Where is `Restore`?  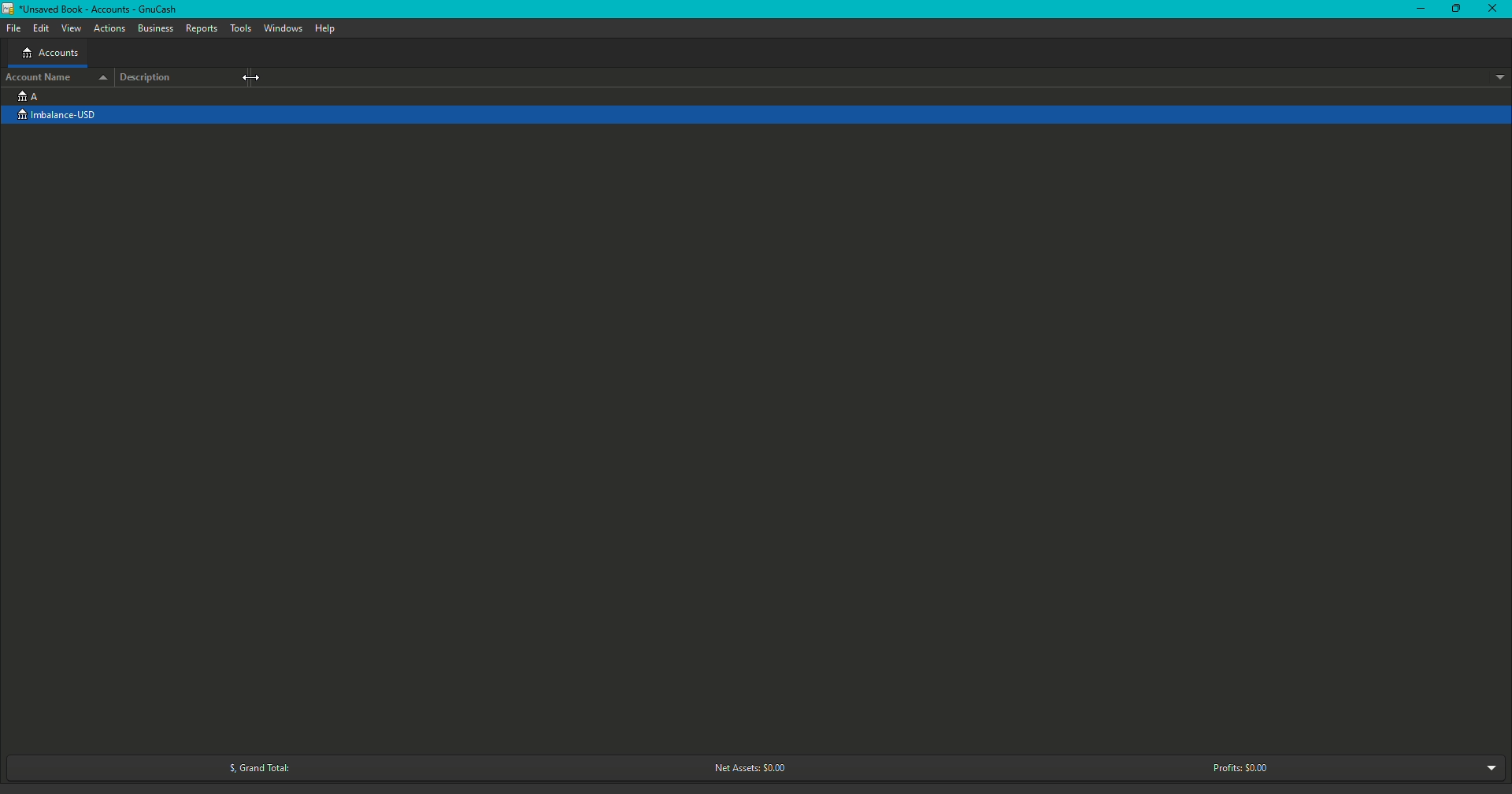
Restore is located at coordinates (1455, 9).